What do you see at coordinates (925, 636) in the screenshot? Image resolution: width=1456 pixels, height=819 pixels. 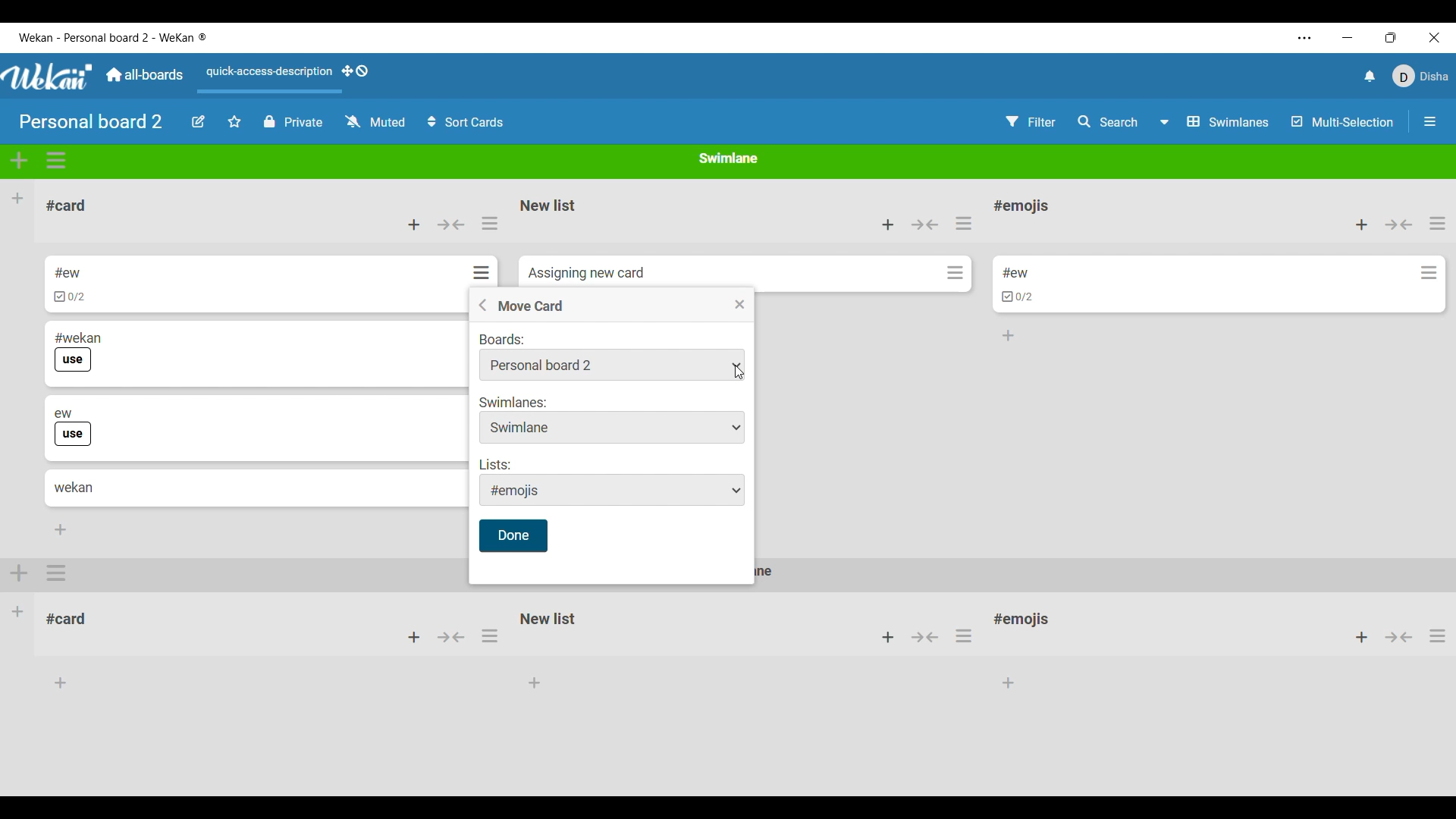 I see `button` at bounding box center [925, 636].